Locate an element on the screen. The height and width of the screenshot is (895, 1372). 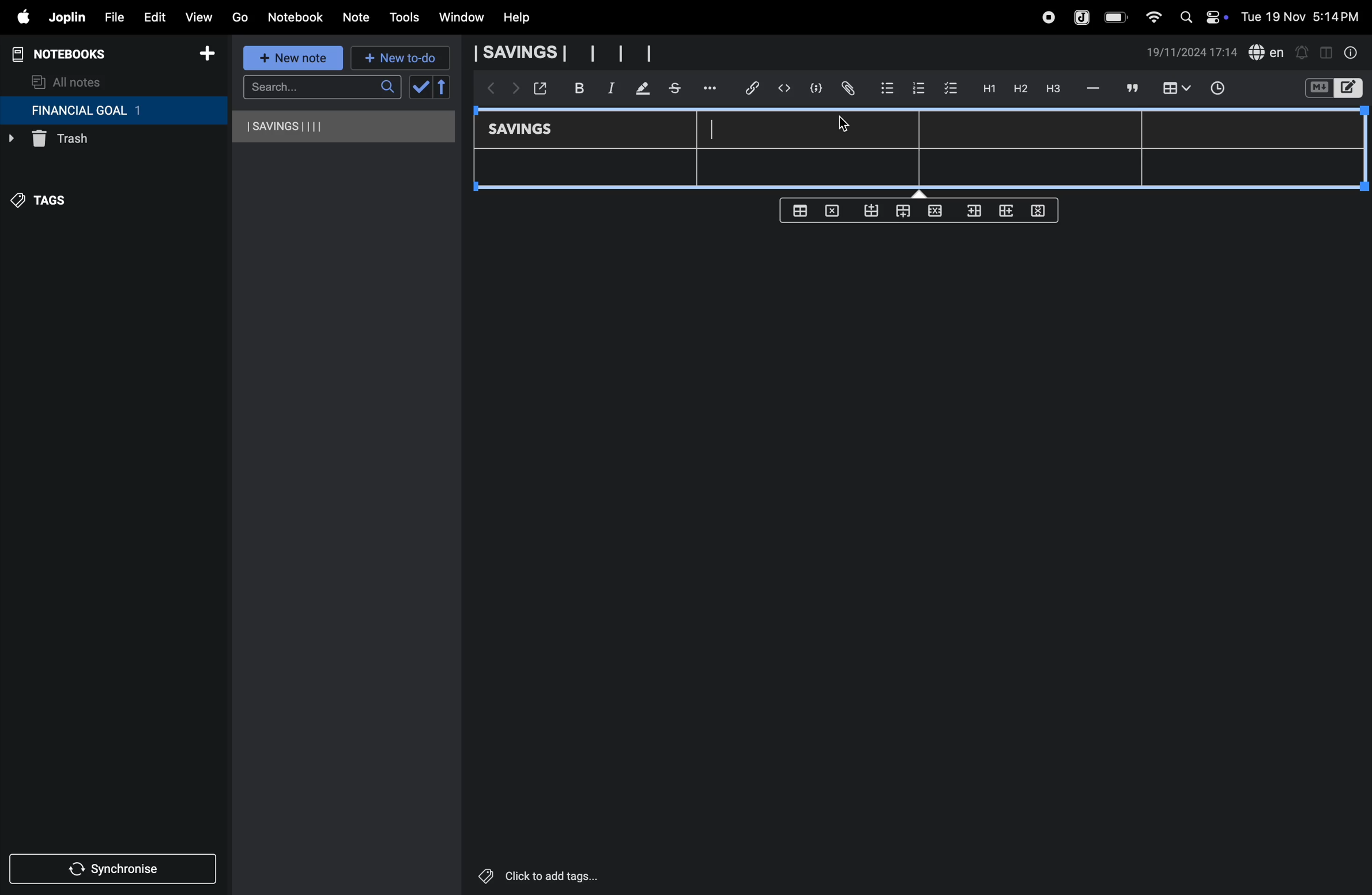
numbered list is located at coordinates (918, 88).